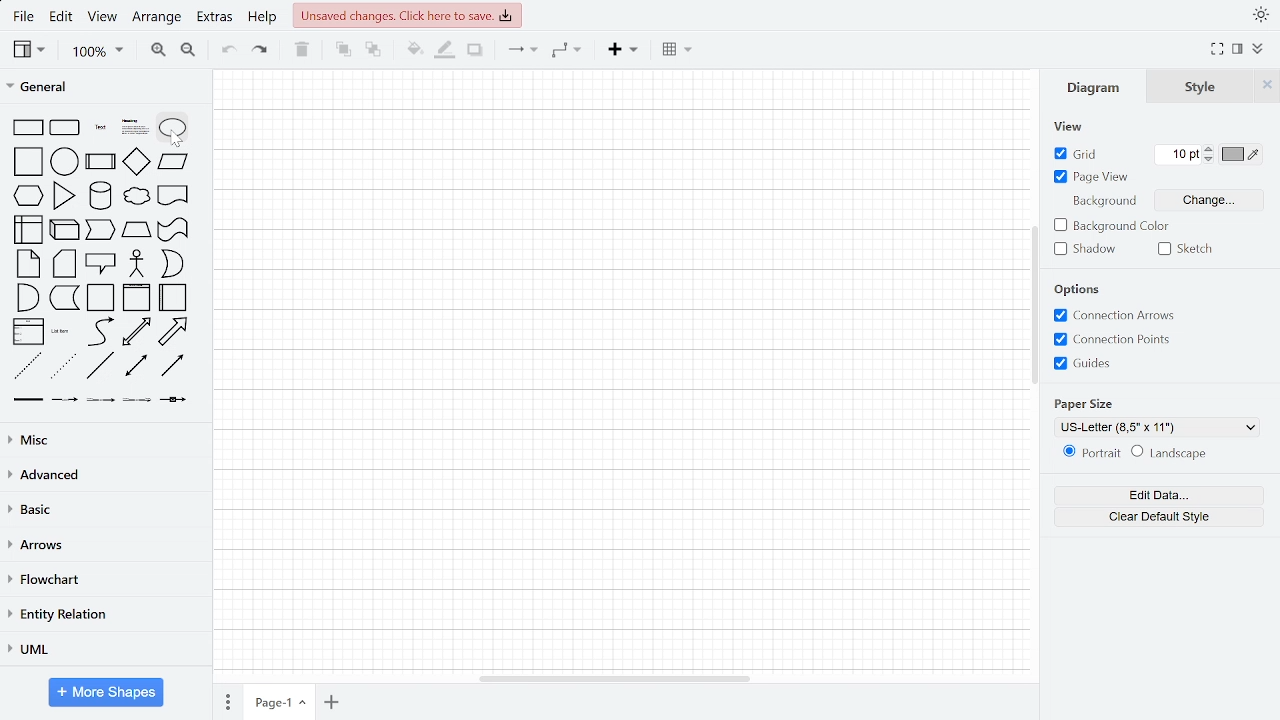 Image resolution: width=1280 pixels, height=720 pixels. I want to click on Paper size, so click(1158, 427).